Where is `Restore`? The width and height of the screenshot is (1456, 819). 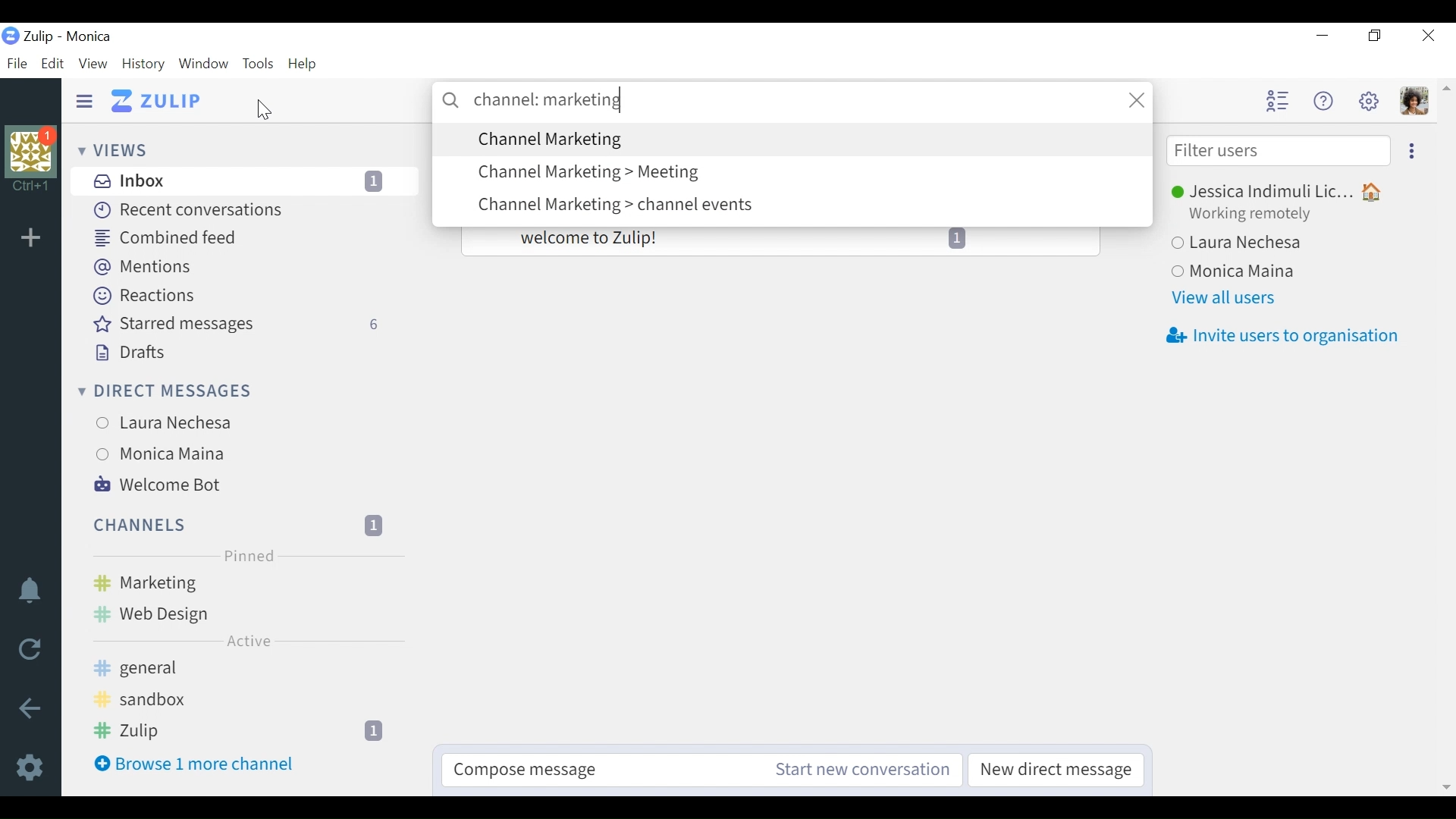
Restore is located at coordinates (1375, 36).